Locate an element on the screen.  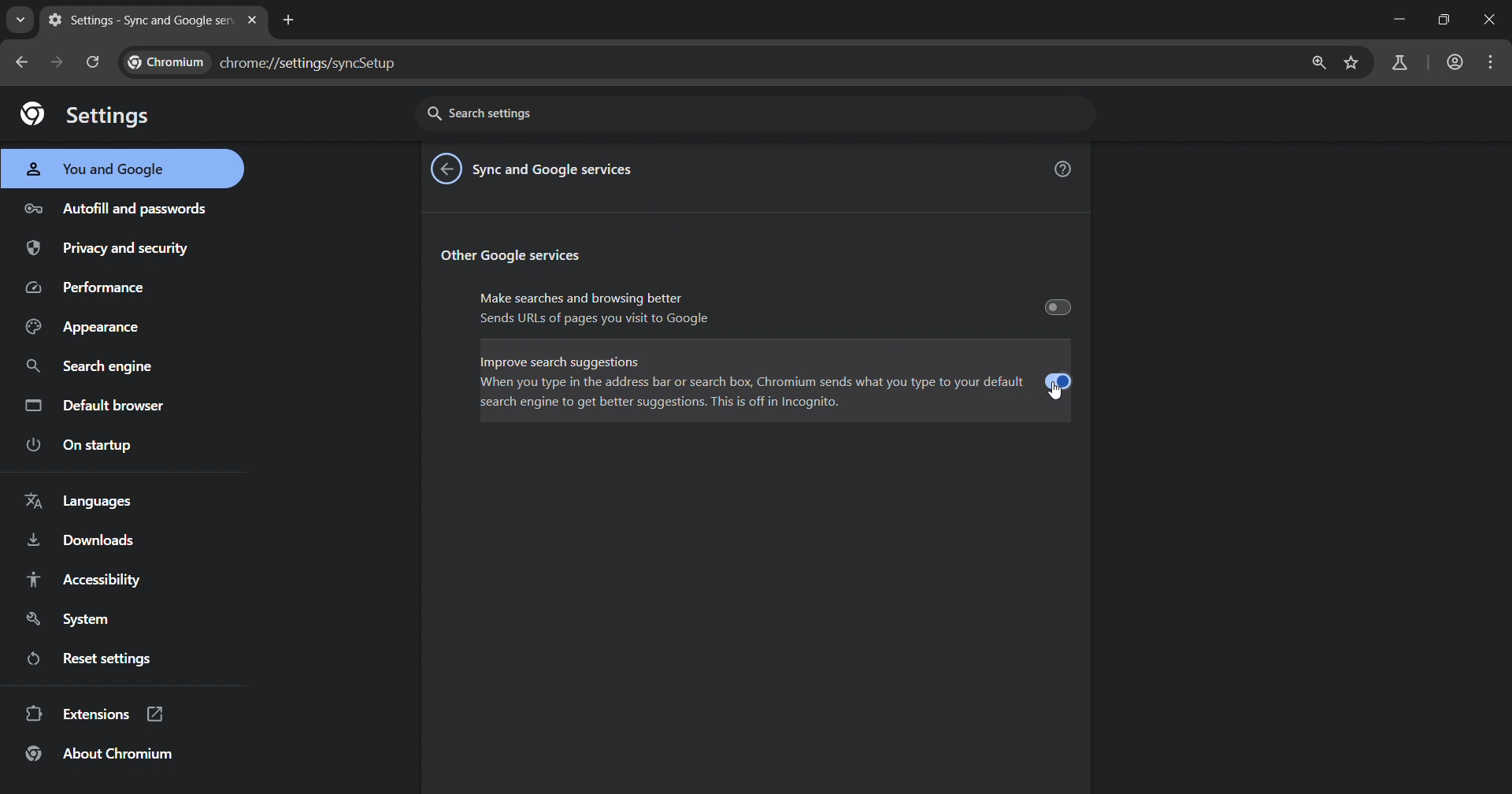
go forward page is located at coordinates (57, 61).